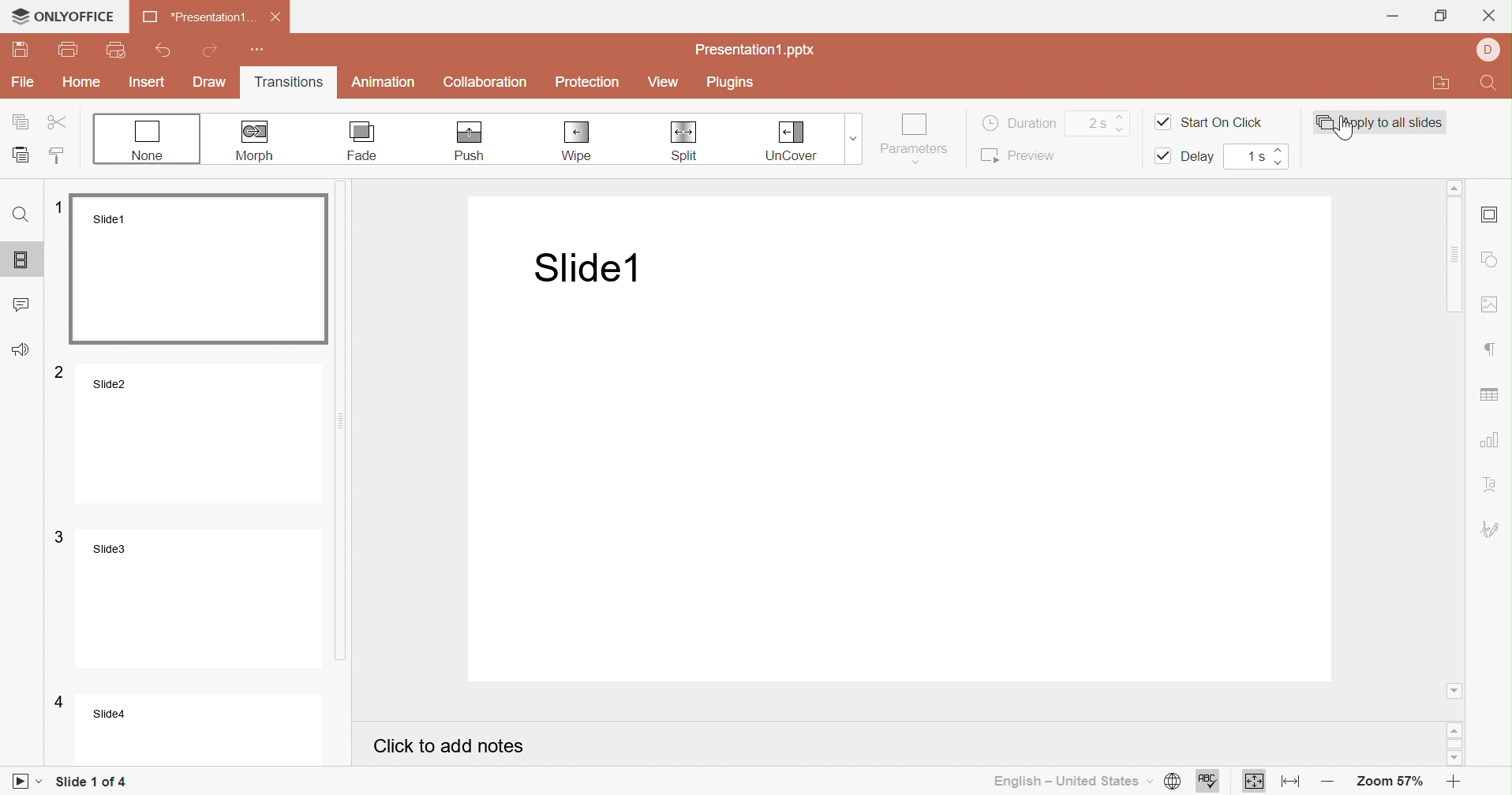 This screenshot has height=795, width=1512. Describe the element at coordinates (1175, 783) in the screenshot. I see `Set document language` at that location.